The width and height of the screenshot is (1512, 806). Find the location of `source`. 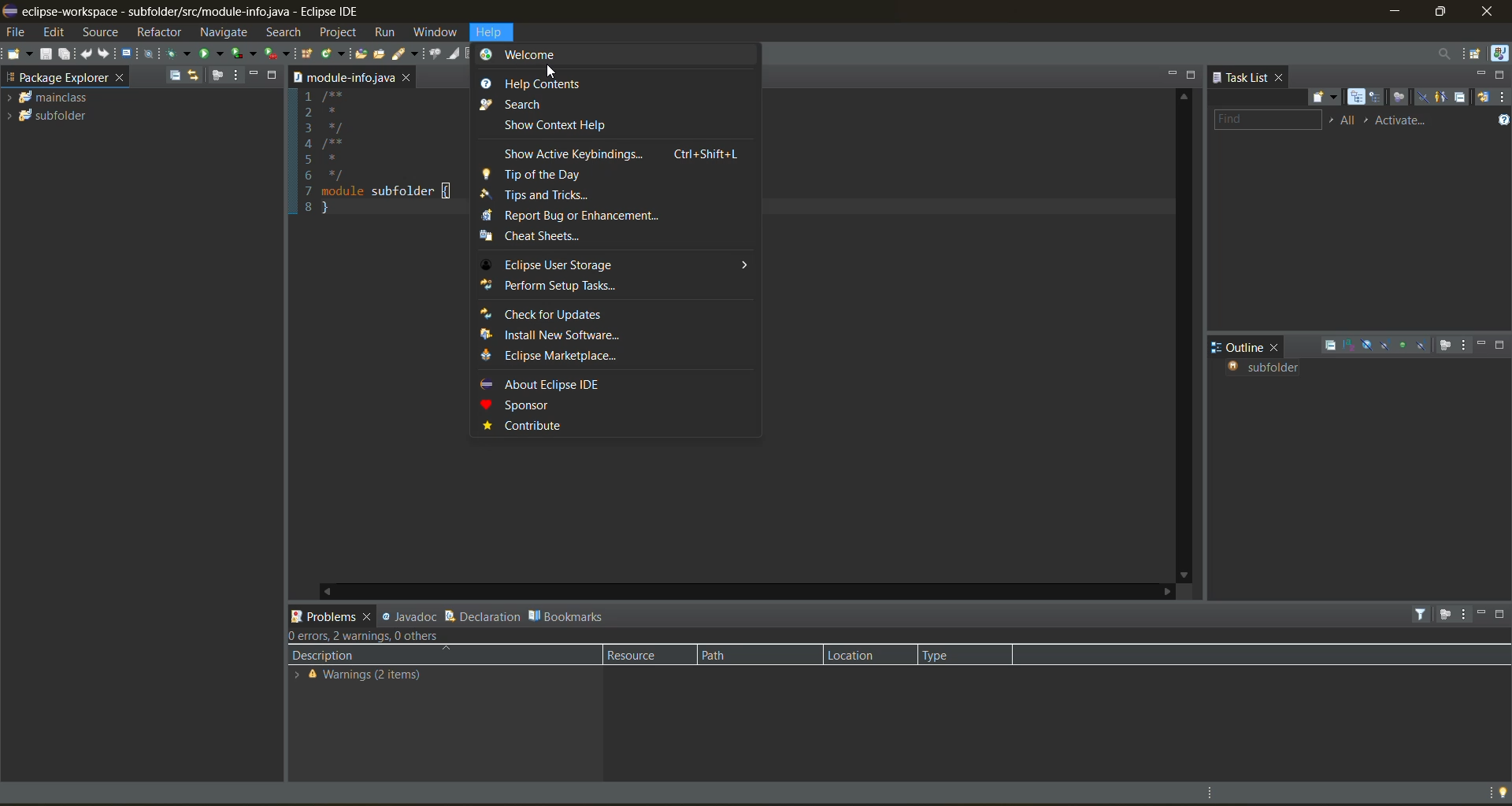

source is located at coordinates (105, 33).